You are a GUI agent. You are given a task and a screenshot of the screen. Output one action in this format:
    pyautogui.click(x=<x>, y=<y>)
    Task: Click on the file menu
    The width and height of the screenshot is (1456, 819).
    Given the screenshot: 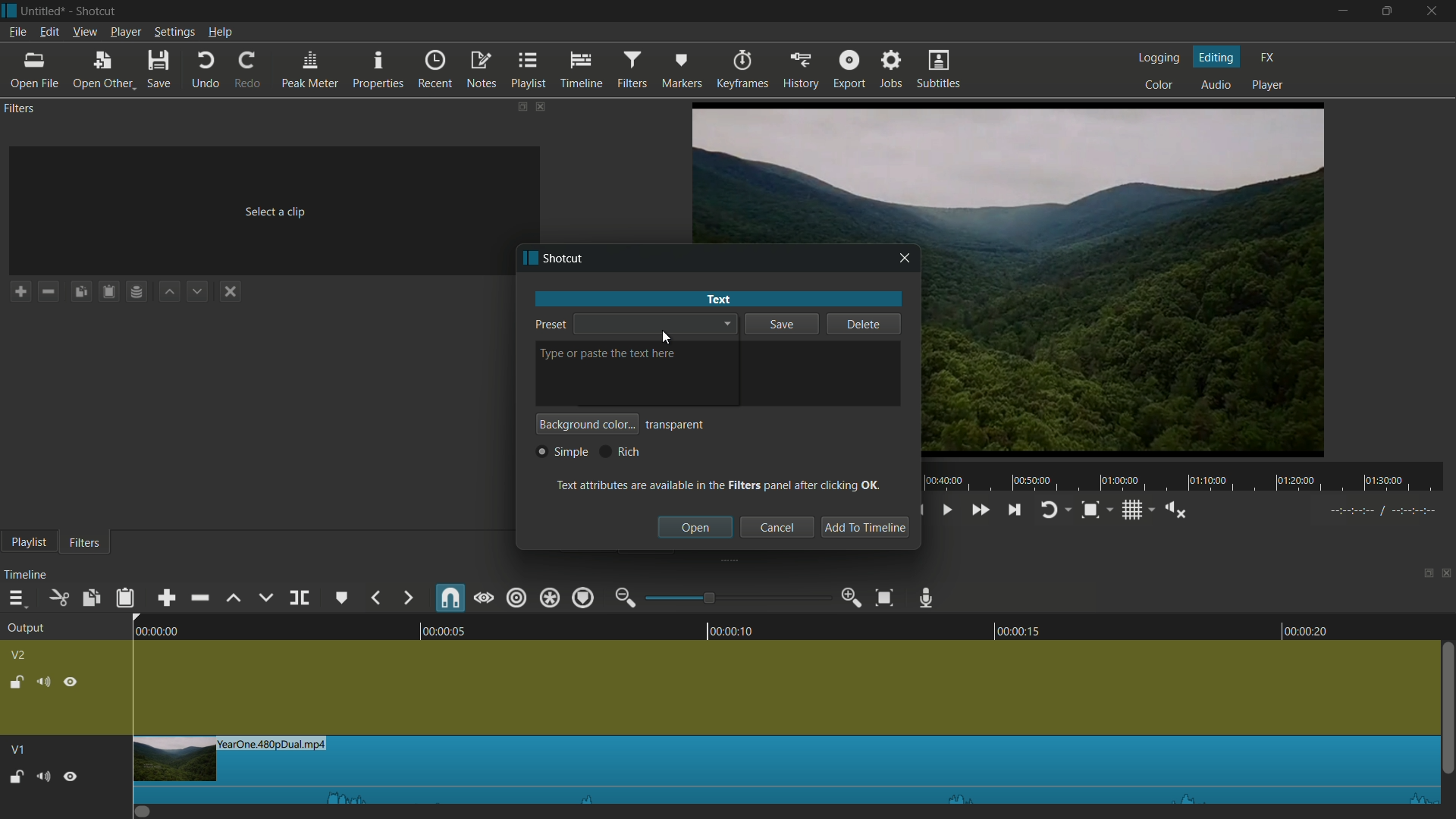 What is the action you would take?
    pyautogui.click(x=17, y=33)
    